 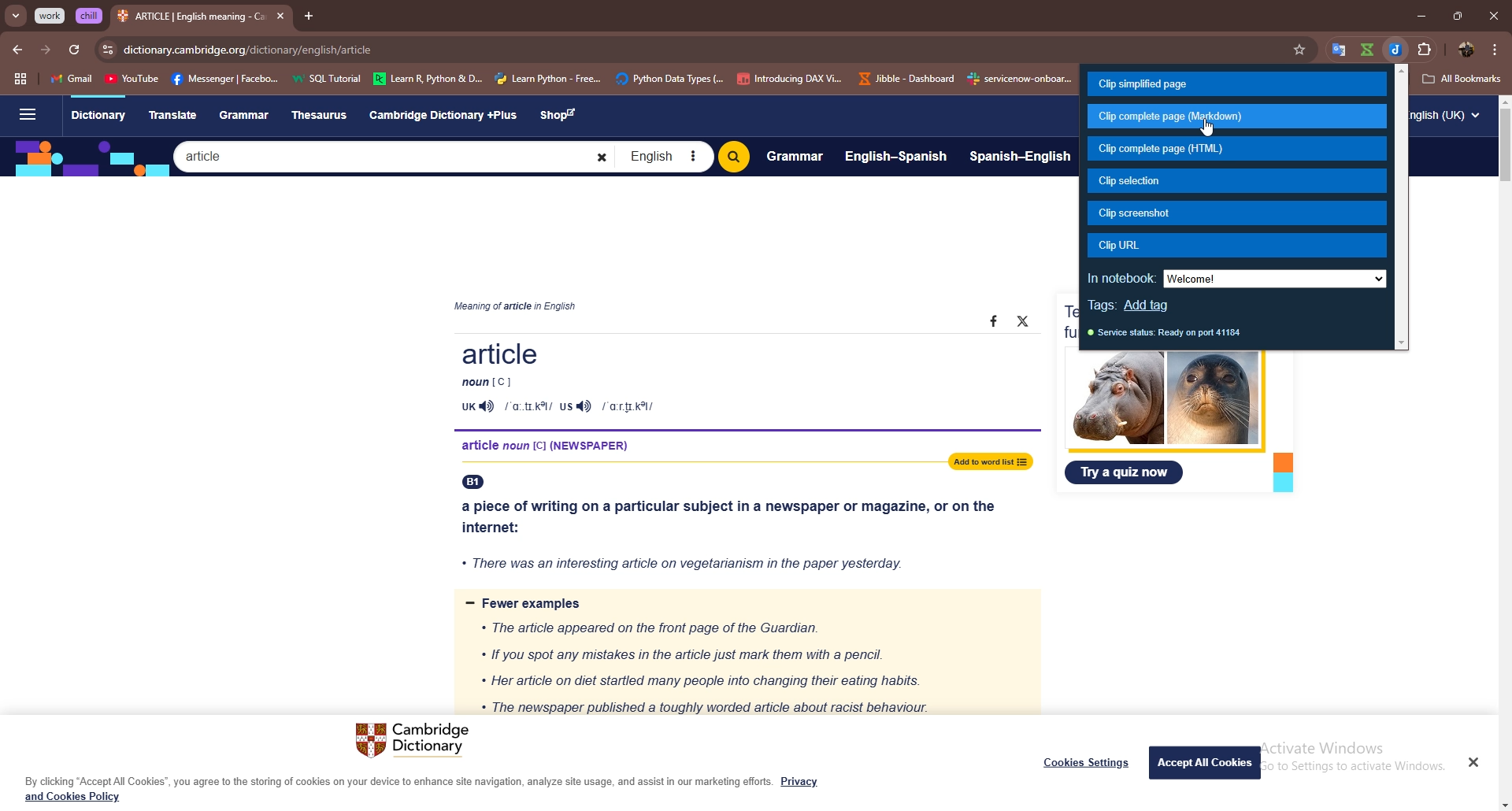 What do you see at coordinates (26, 116) in the screenshot?
I see `Sidebar` at bounding box center [26, 116].